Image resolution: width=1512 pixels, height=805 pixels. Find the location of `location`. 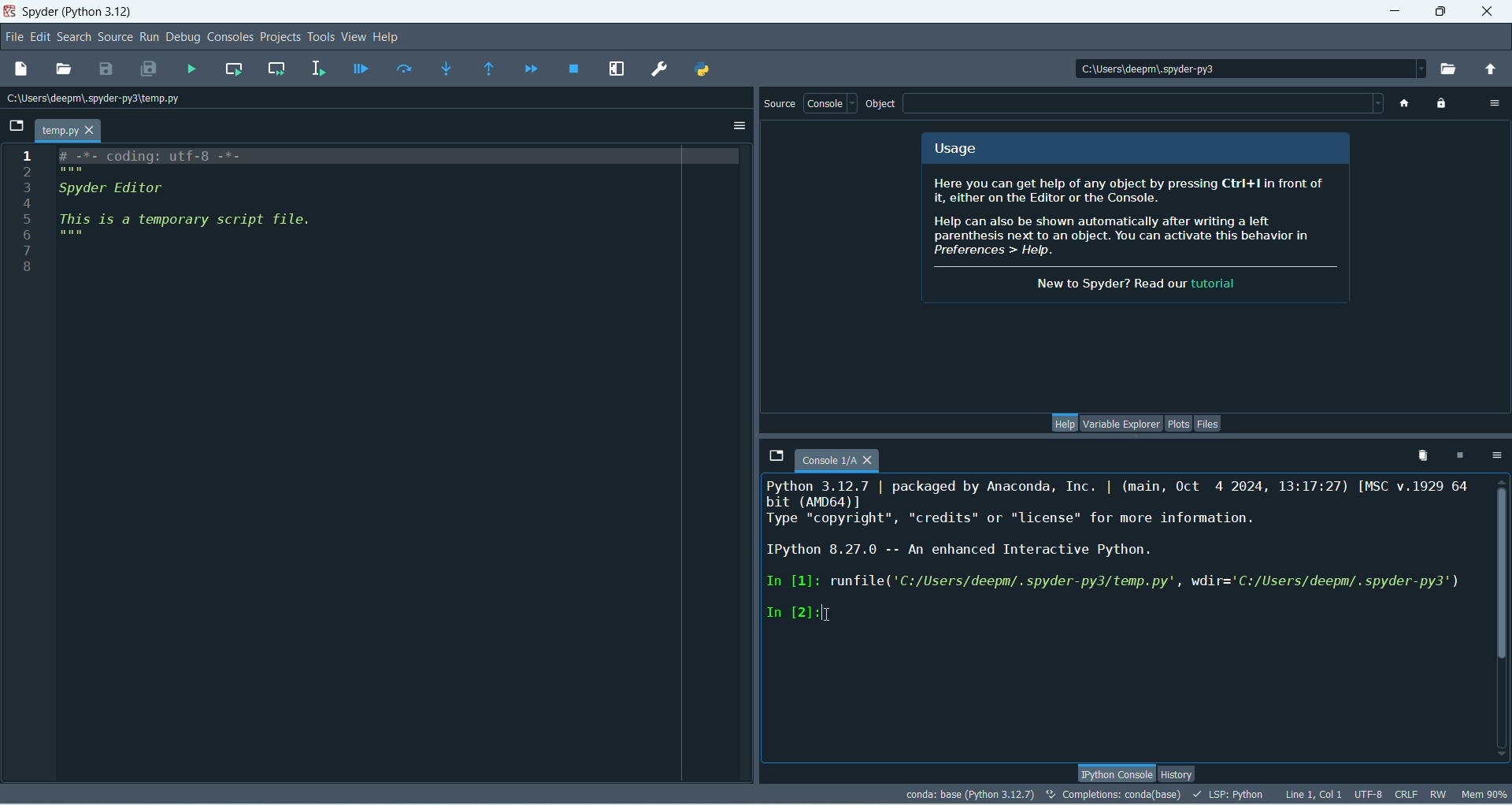

location is located at coordinates (98, 98).